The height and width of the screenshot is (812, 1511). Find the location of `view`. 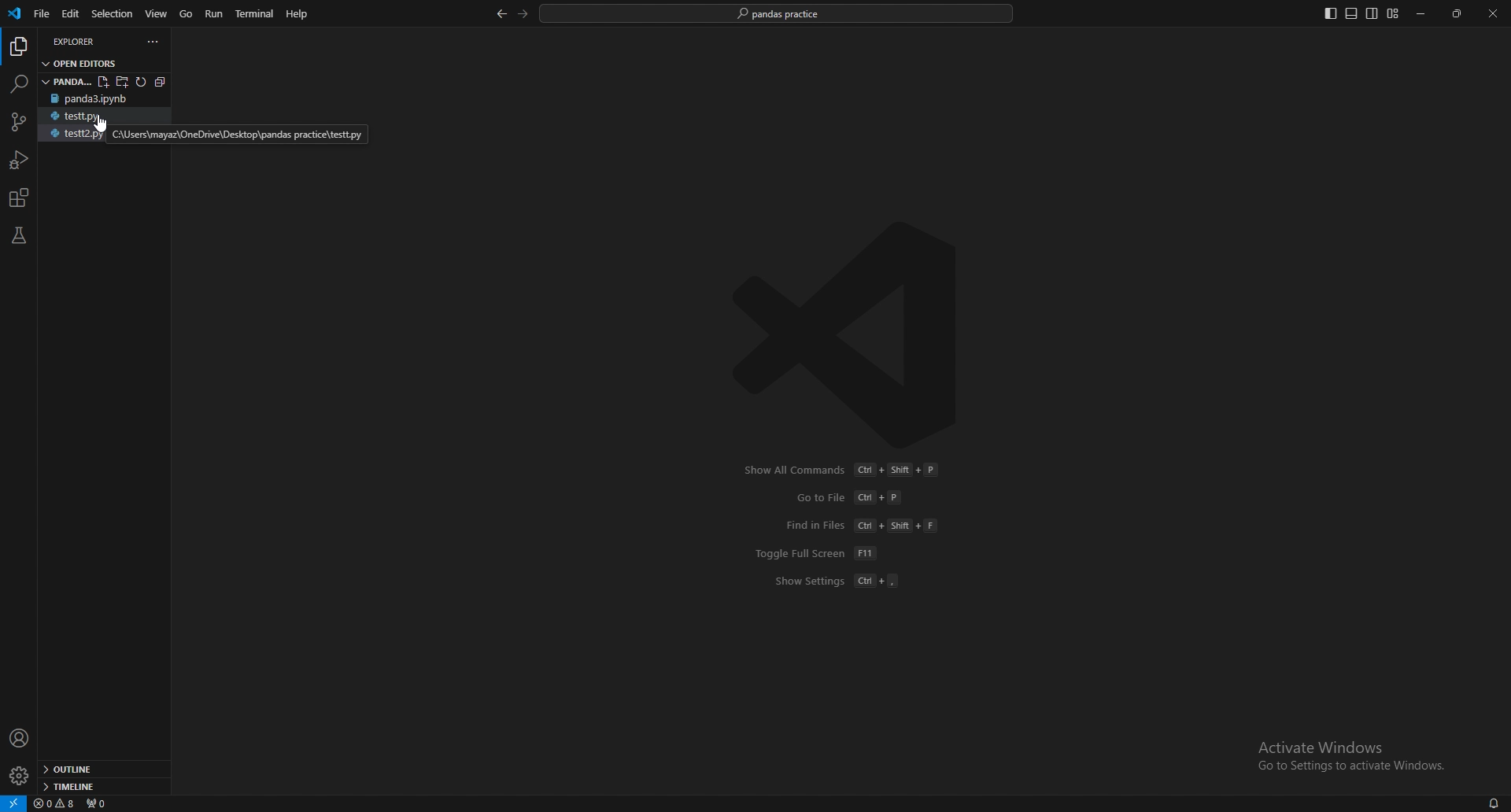

view is located at coordinates (157, 14).